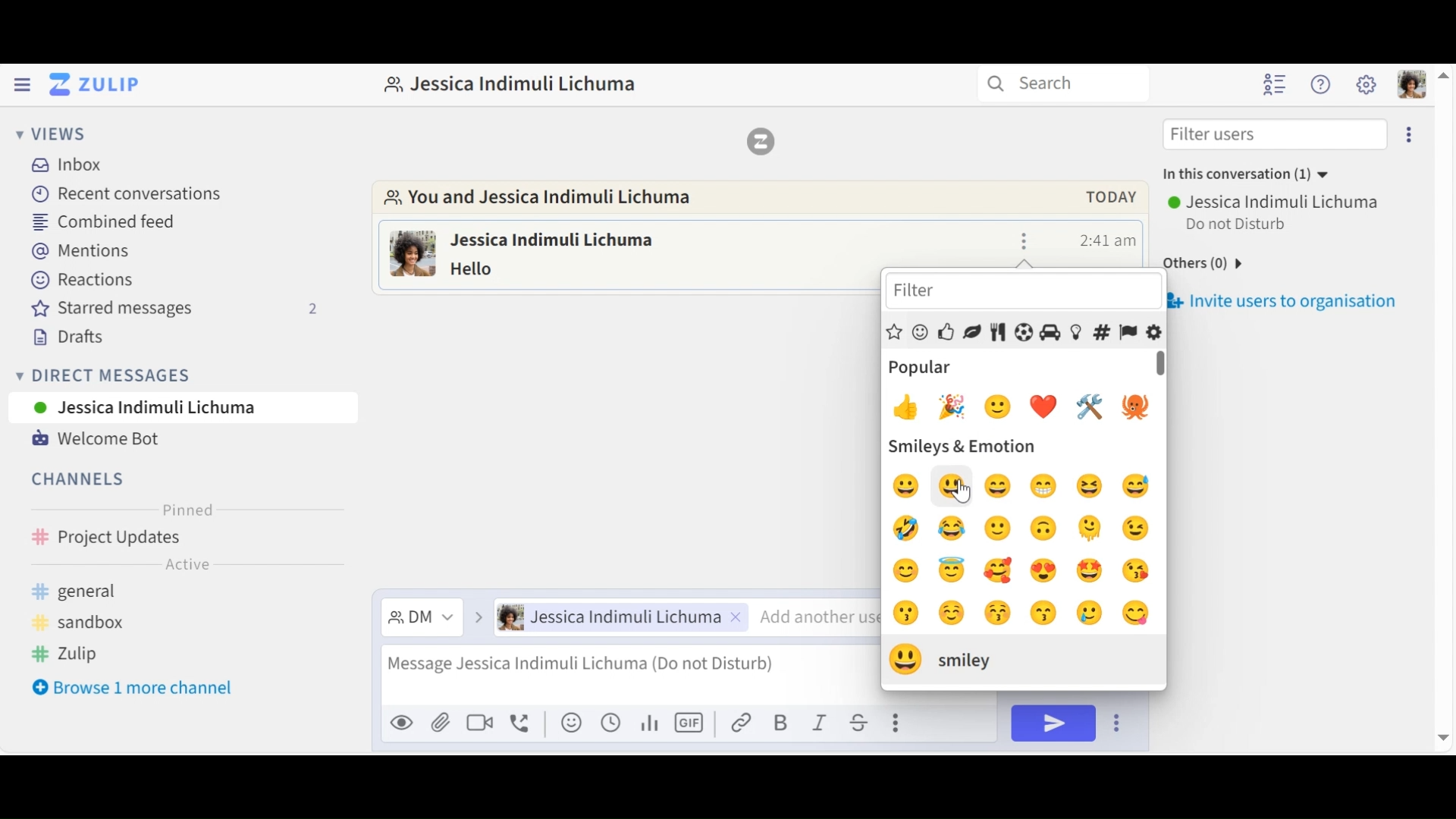  What do you see at coordinates (86, 623) in the screenshot?
I see `sandbox` at bounding box center [86, 623].